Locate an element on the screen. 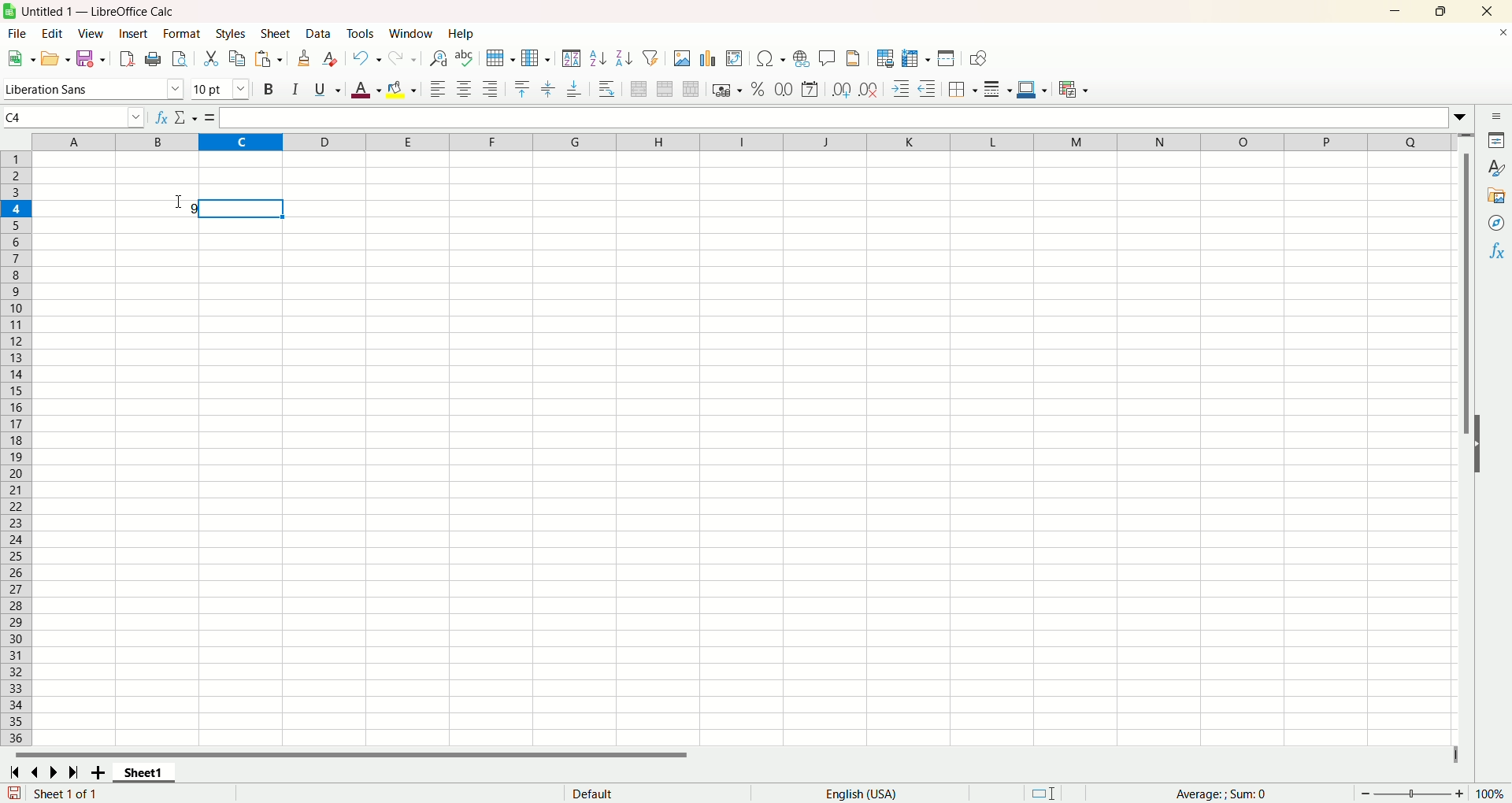 Image resolution: width=1512 pixels, height=803 pixels. cut is located at coordinates (210, 57).